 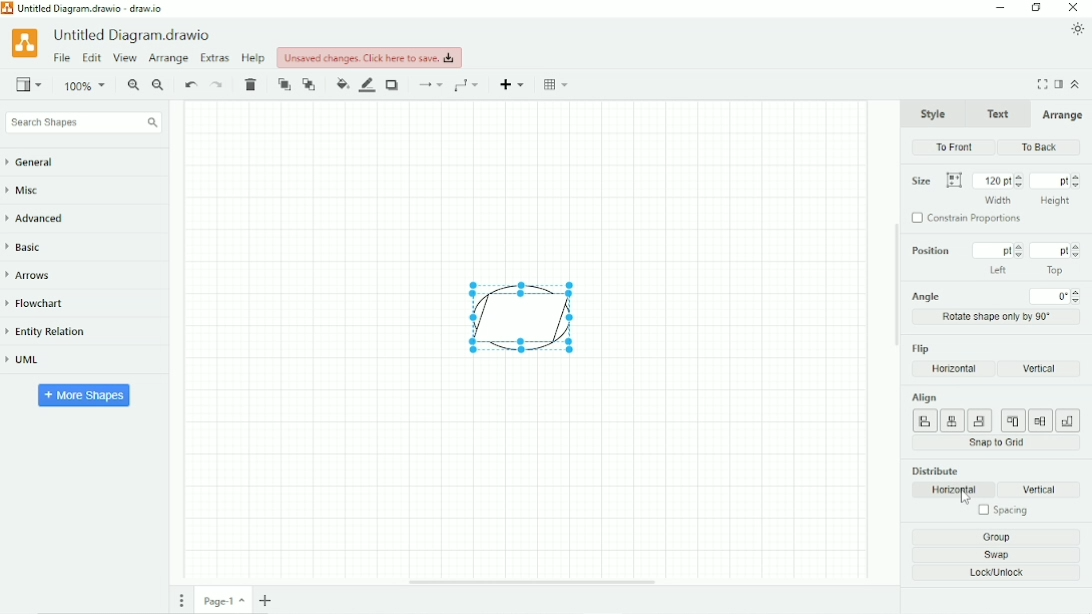 I want to click on Appearance, so click(x=1078, y=29).